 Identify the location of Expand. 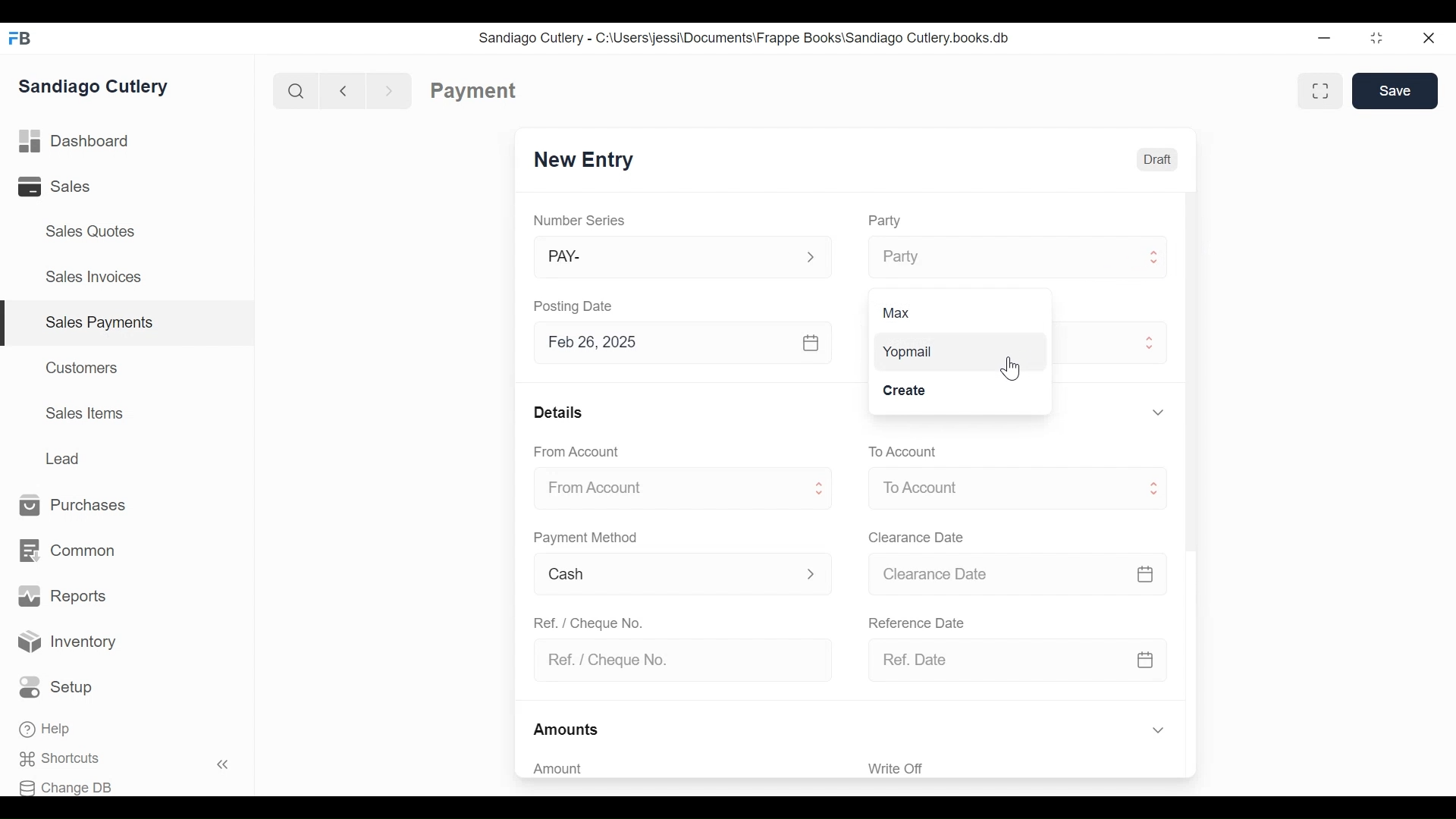
(1157, 731).